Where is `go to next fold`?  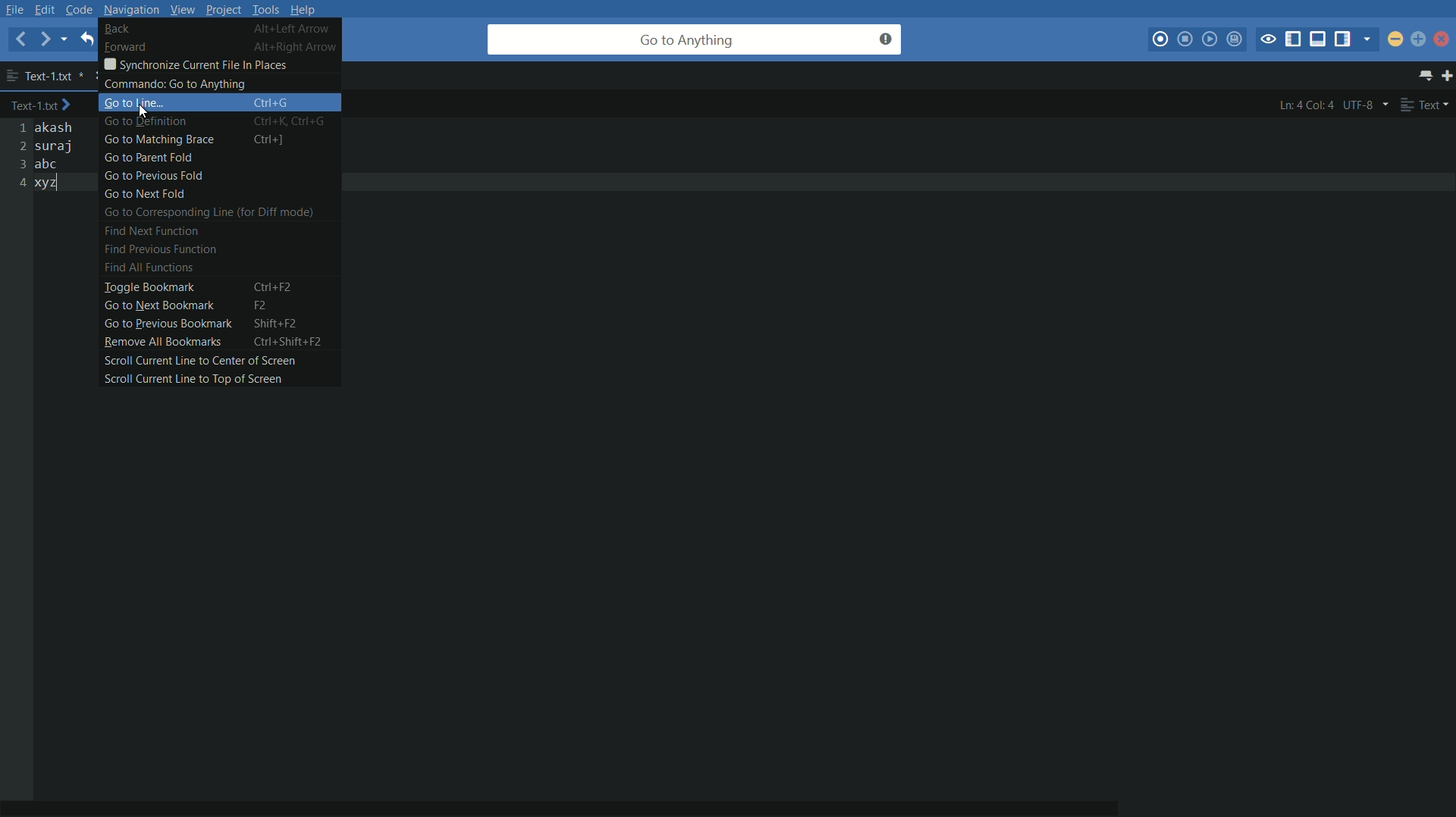
go to next fold is located at coordinates (144, 196).